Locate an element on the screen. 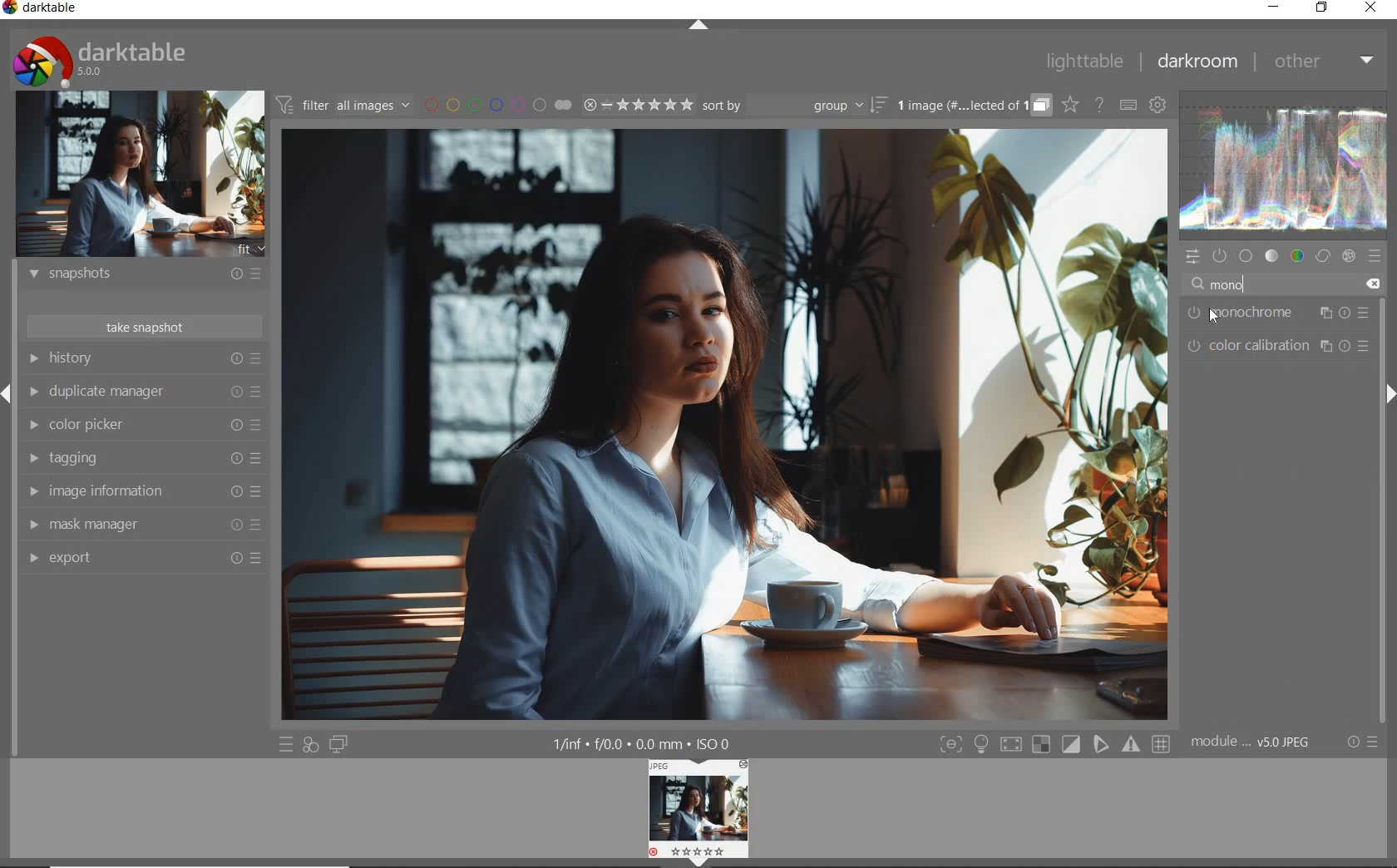  export is located at coordinates (141, 559).